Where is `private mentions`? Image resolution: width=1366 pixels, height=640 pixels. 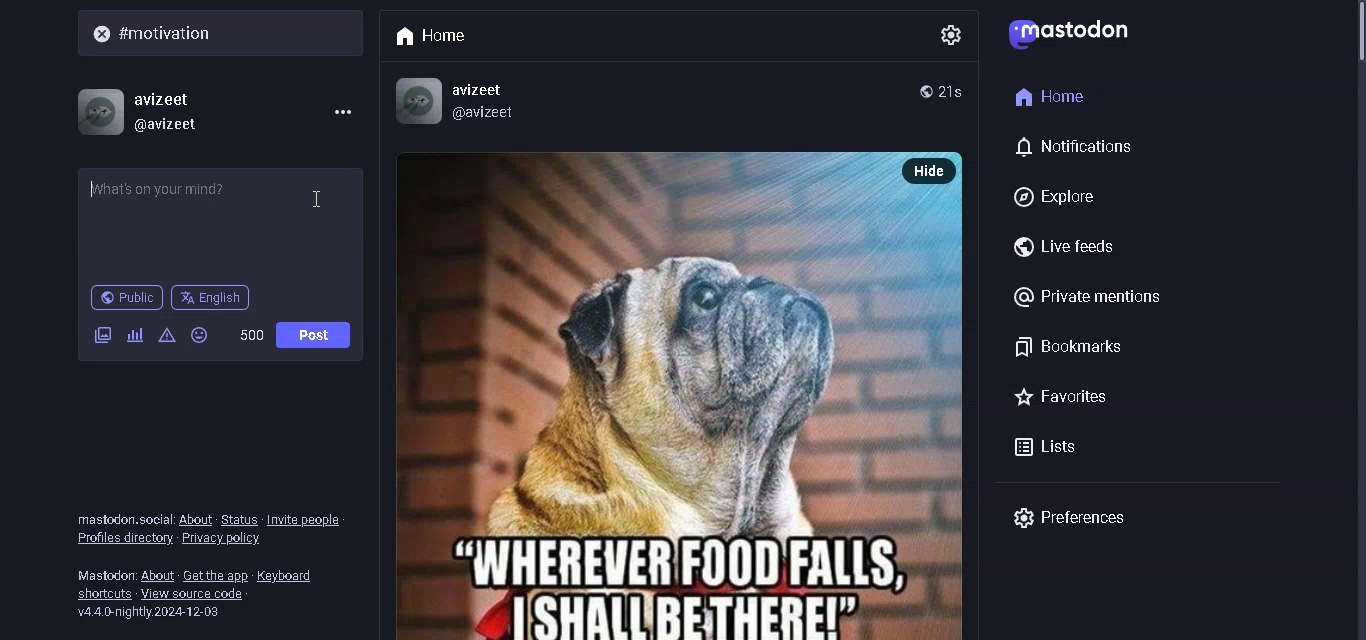
private mentions is located at coordinates (1092, 299).